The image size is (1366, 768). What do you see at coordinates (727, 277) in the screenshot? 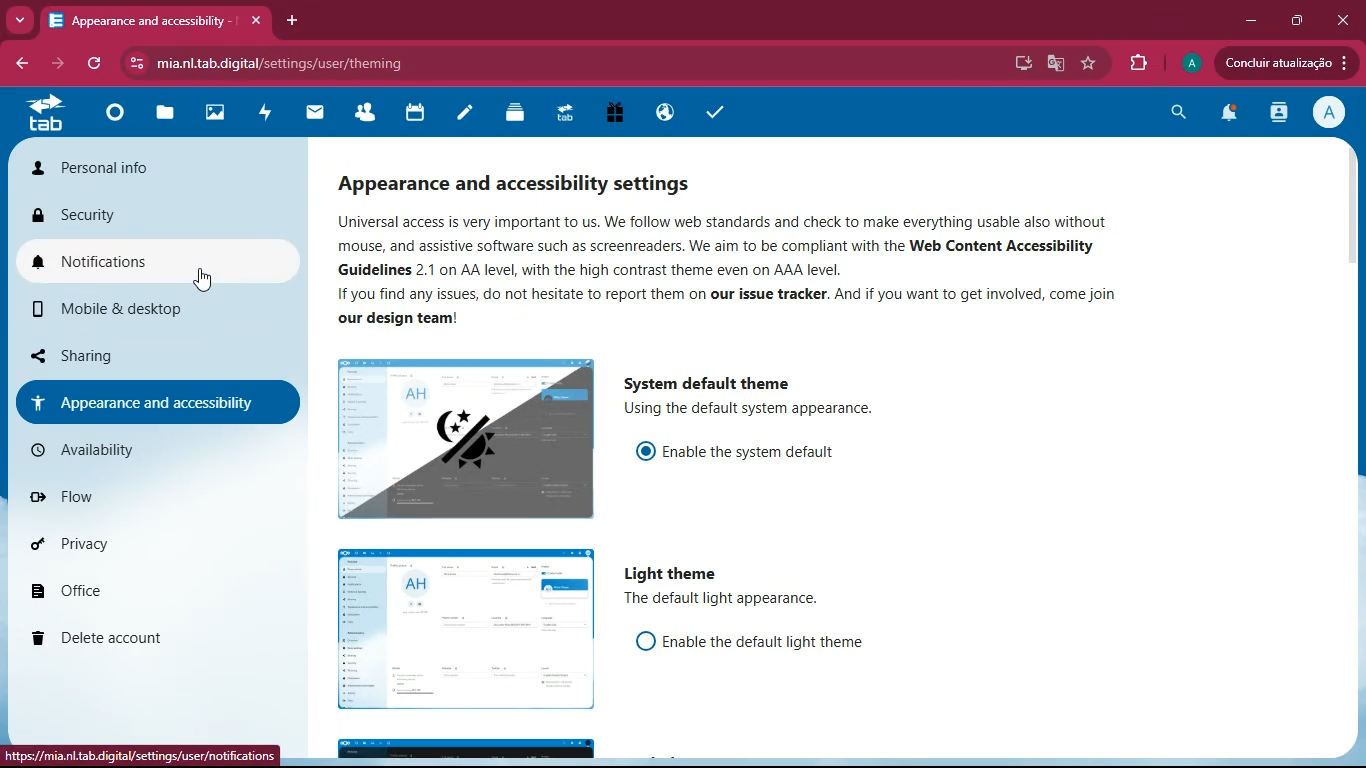
I see `Universal access is very important to us. We follow web standards and check to make everything usable also without
mouse, and assistive software such as screenreaders. We aim to be compliant with the Web Content Accessibility
Guidelines 2.1 on AA level, with the high contrast theme even on AAA level.

If you find any issues, do not hesitate to report them on our issue tracker. And if you want to get involved, come join
our design team!` at bounding box center [727, 277].